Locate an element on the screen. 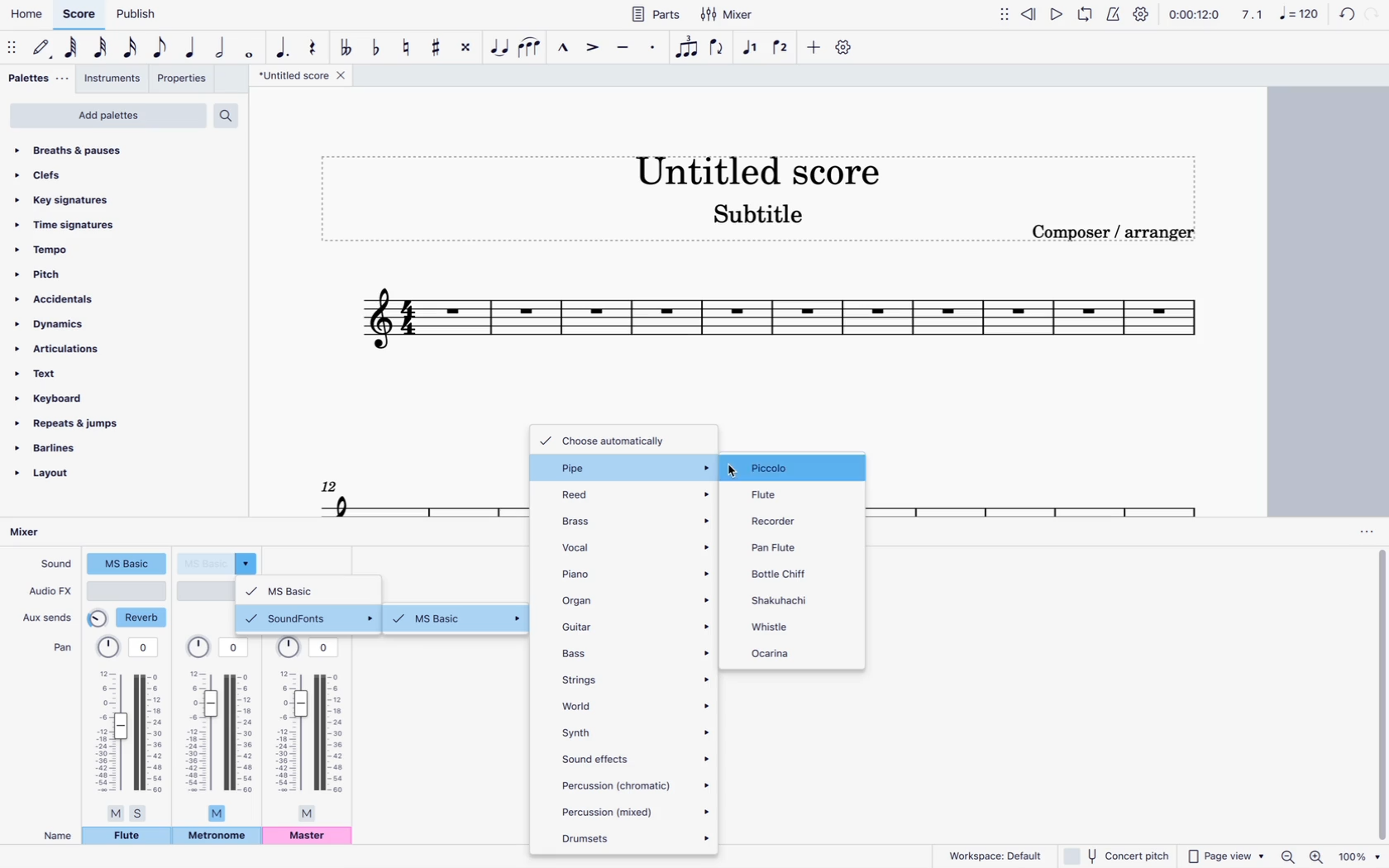  score is located at coordinates (779, 324).